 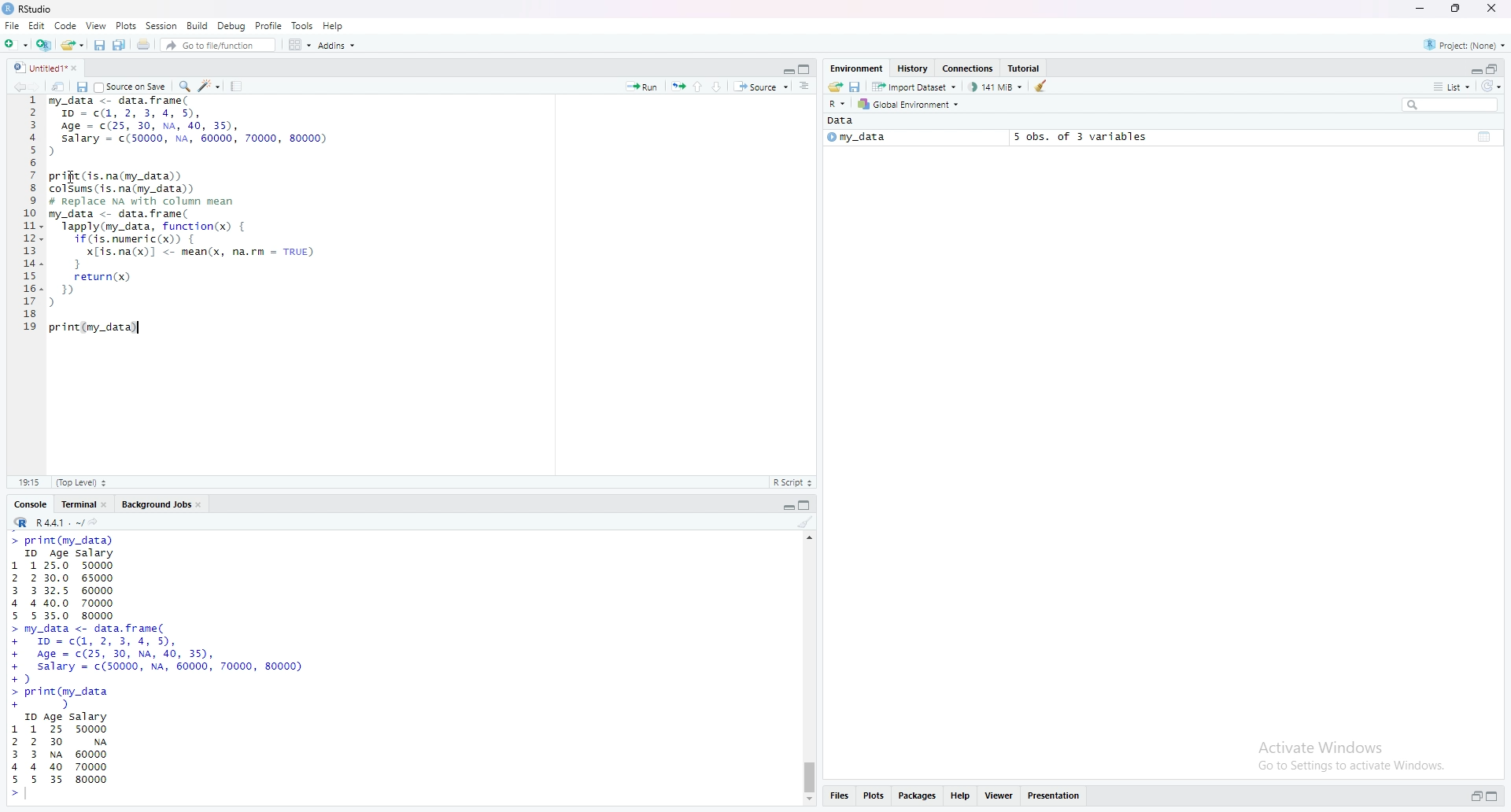 What do you see at coordinates (209, 85) in the screenshot?
I see `code tools` at bounding box center [209, 85].